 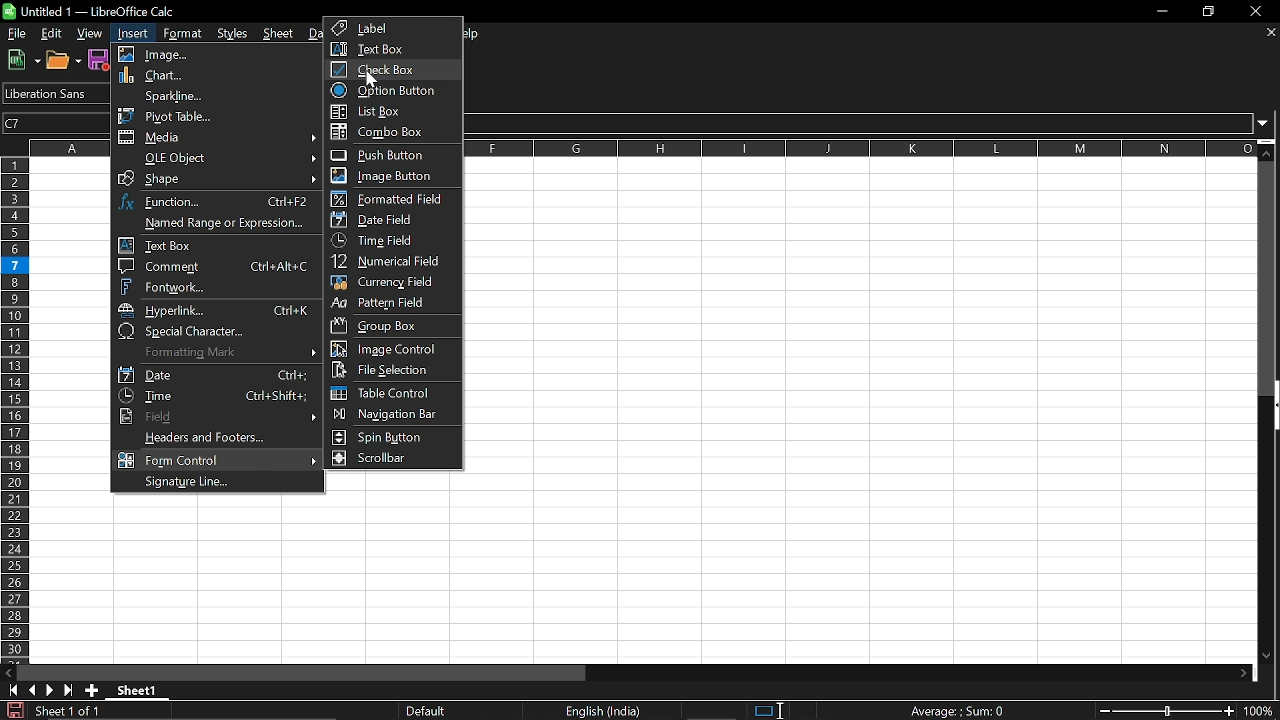 What do you see at coordinates (380, 325) in the screenshot?
I see `Group Box` at bounding box center [380, 325].